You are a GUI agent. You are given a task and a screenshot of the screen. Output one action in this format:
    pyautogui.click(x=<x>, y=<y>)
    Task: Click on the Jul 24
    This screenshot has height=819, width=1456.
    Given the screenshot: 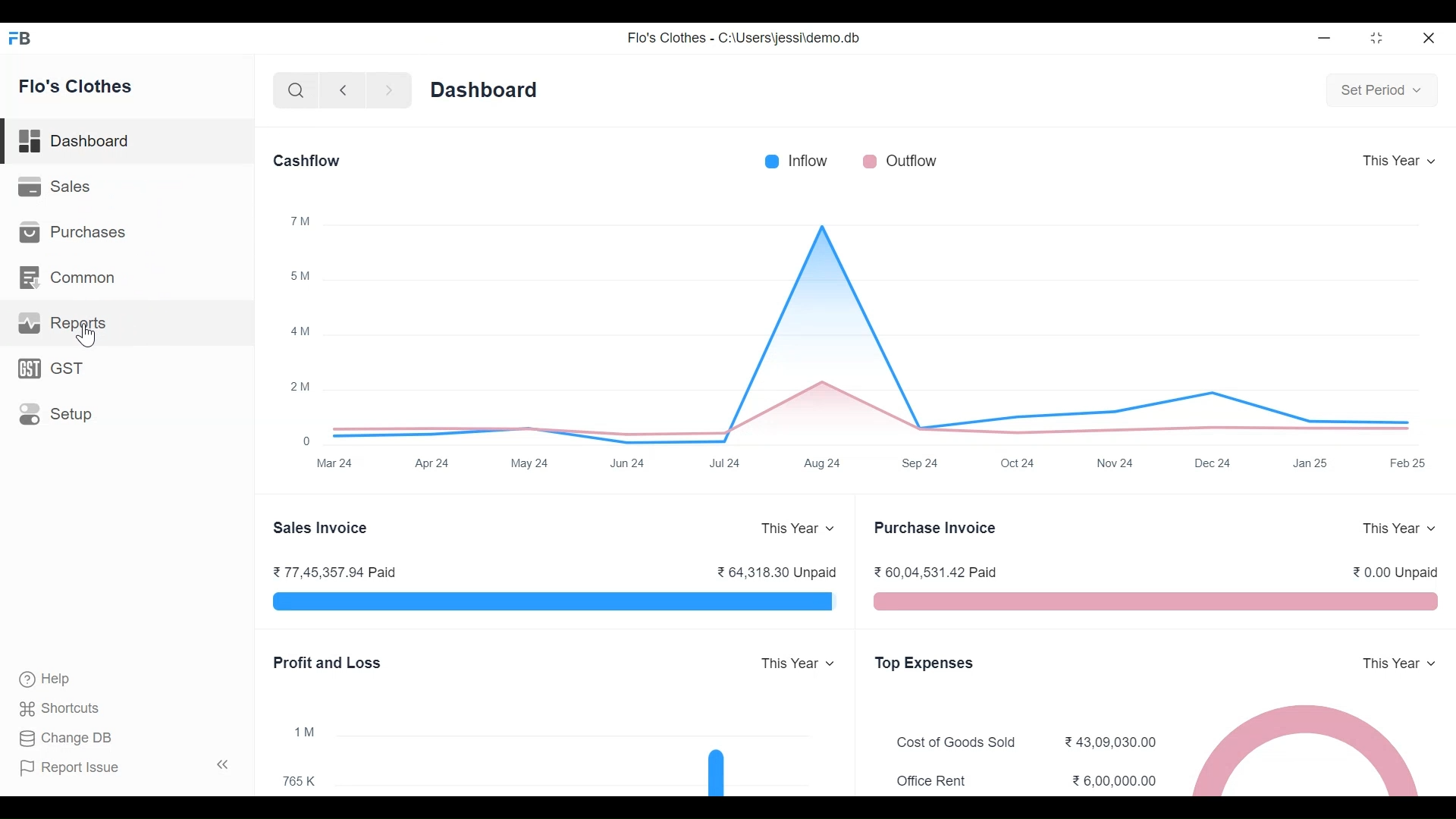 What is the action you would take?
    pyautogui.click(x=725, y=464)
    